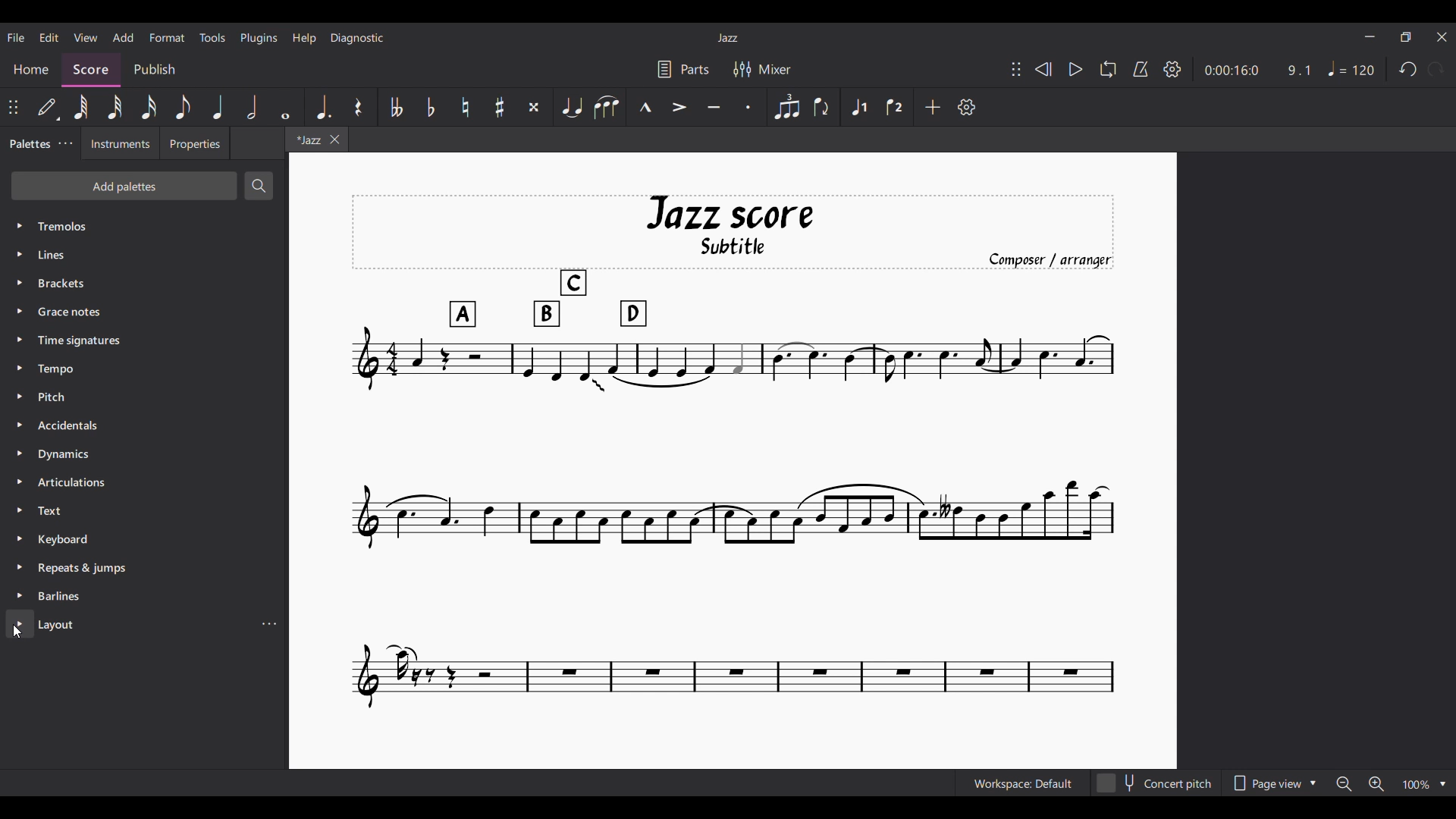  What do you see at coordinates (83, 108) in the screenshot?
I see `64th note` at bounding box center [83, 108].